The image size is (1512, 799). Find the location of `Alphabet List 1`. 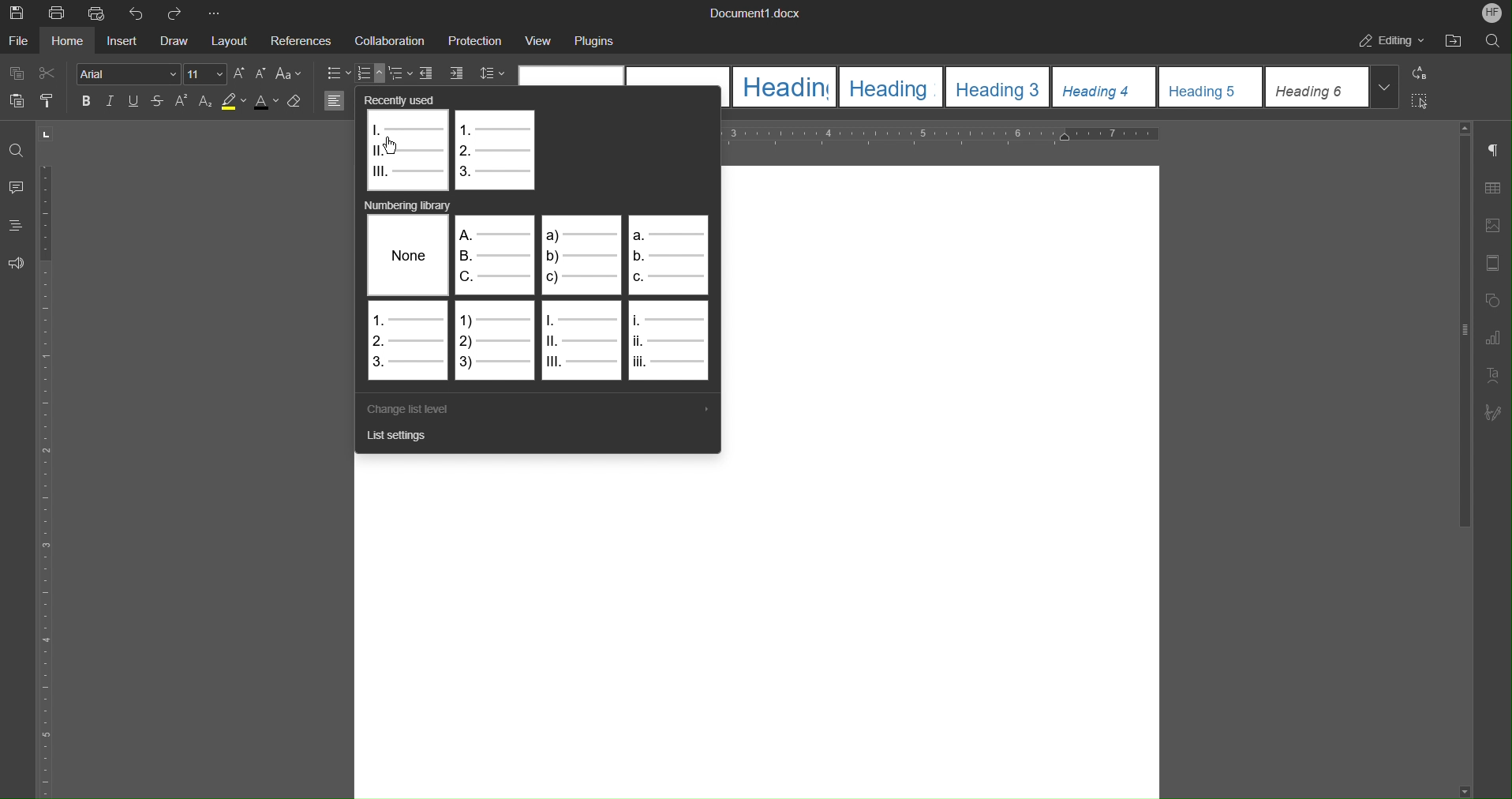

Alphabet List 1 is located at coordinates (496, 257).